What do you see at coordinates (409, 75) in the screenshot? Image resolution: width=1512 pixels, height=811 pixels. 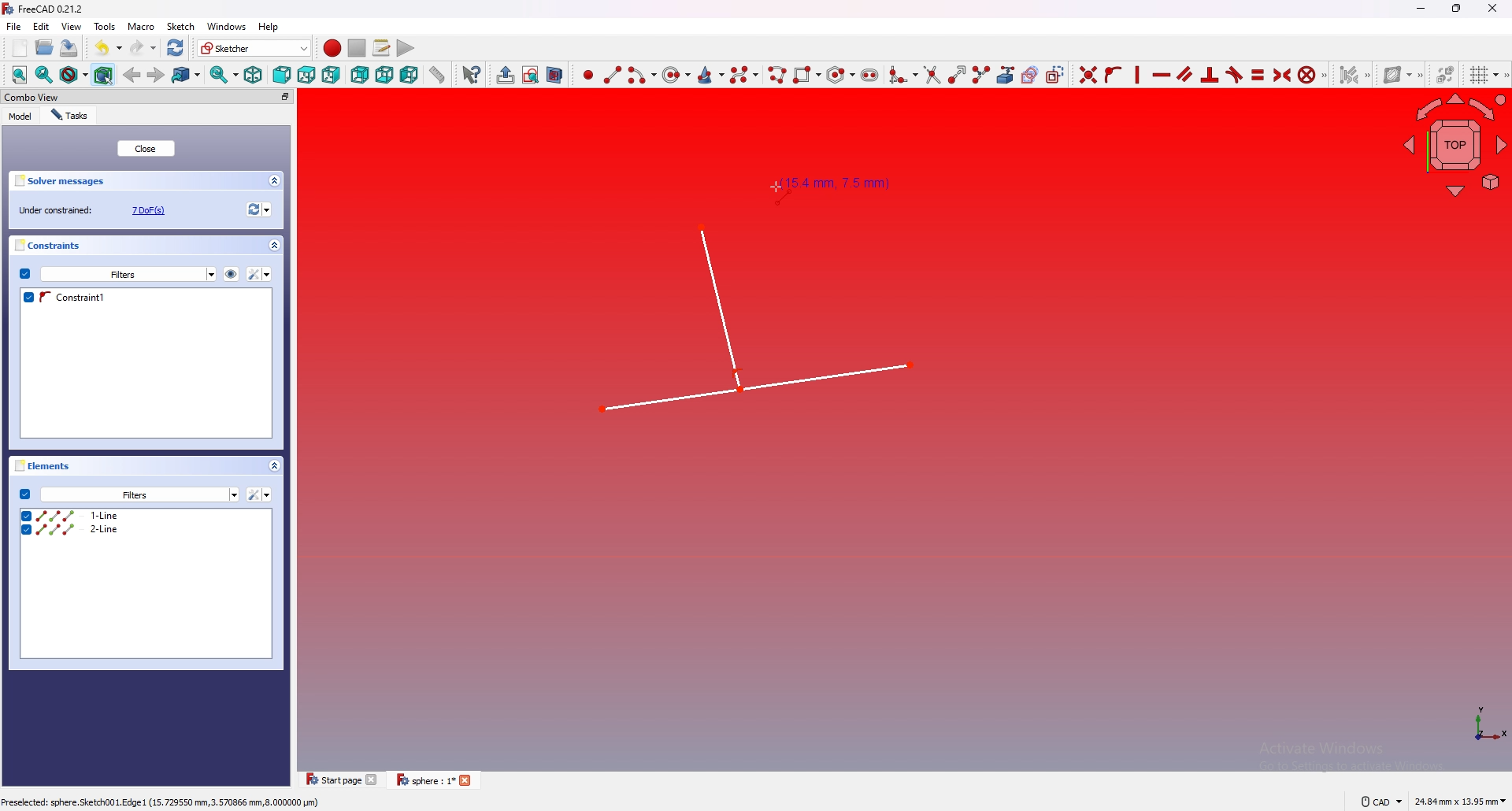 I see `Left` at bounding box center [409, 75].